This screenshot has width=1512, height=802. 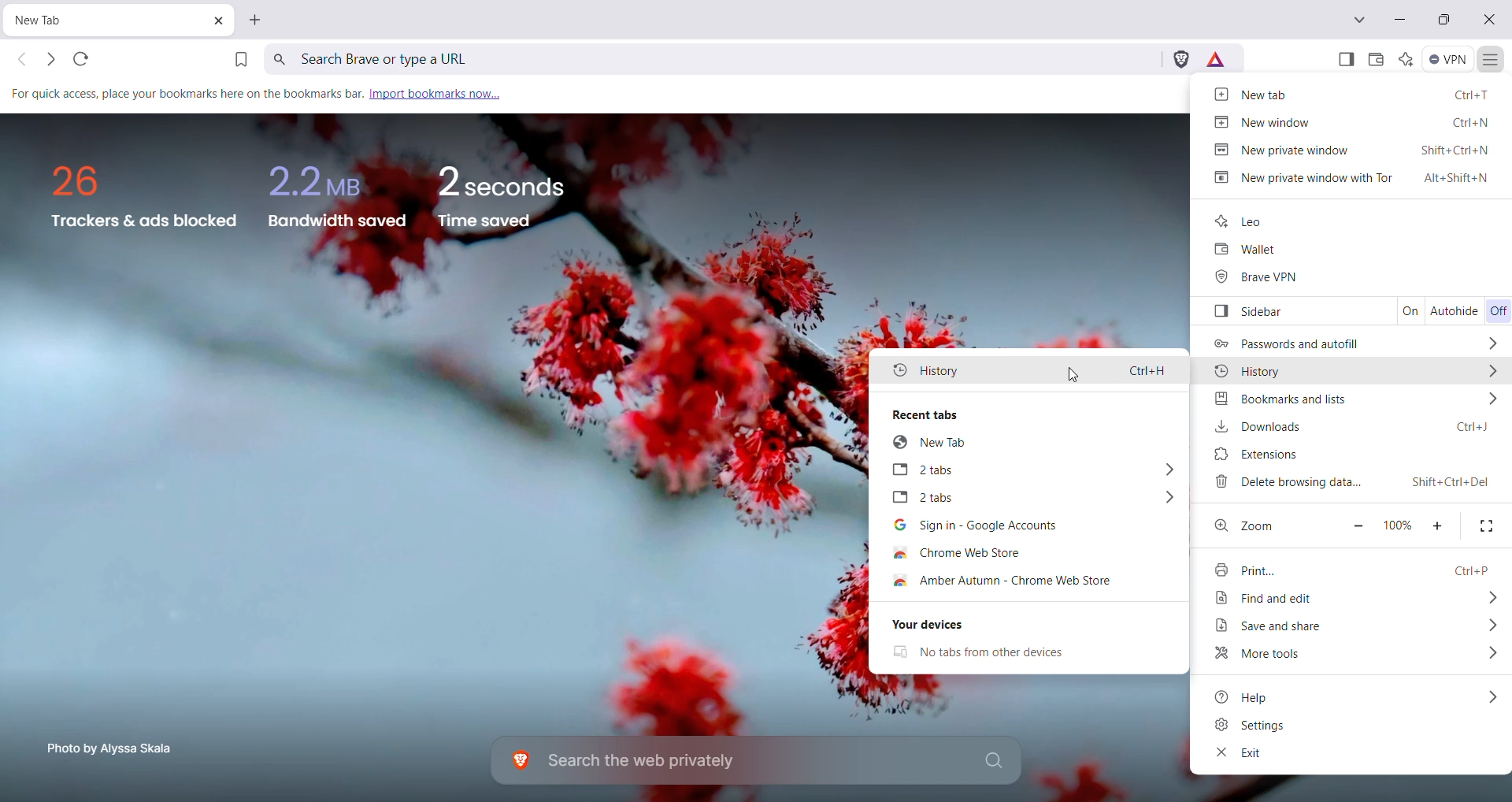 I want to click on Minimize, so click(x=1399, y=19).